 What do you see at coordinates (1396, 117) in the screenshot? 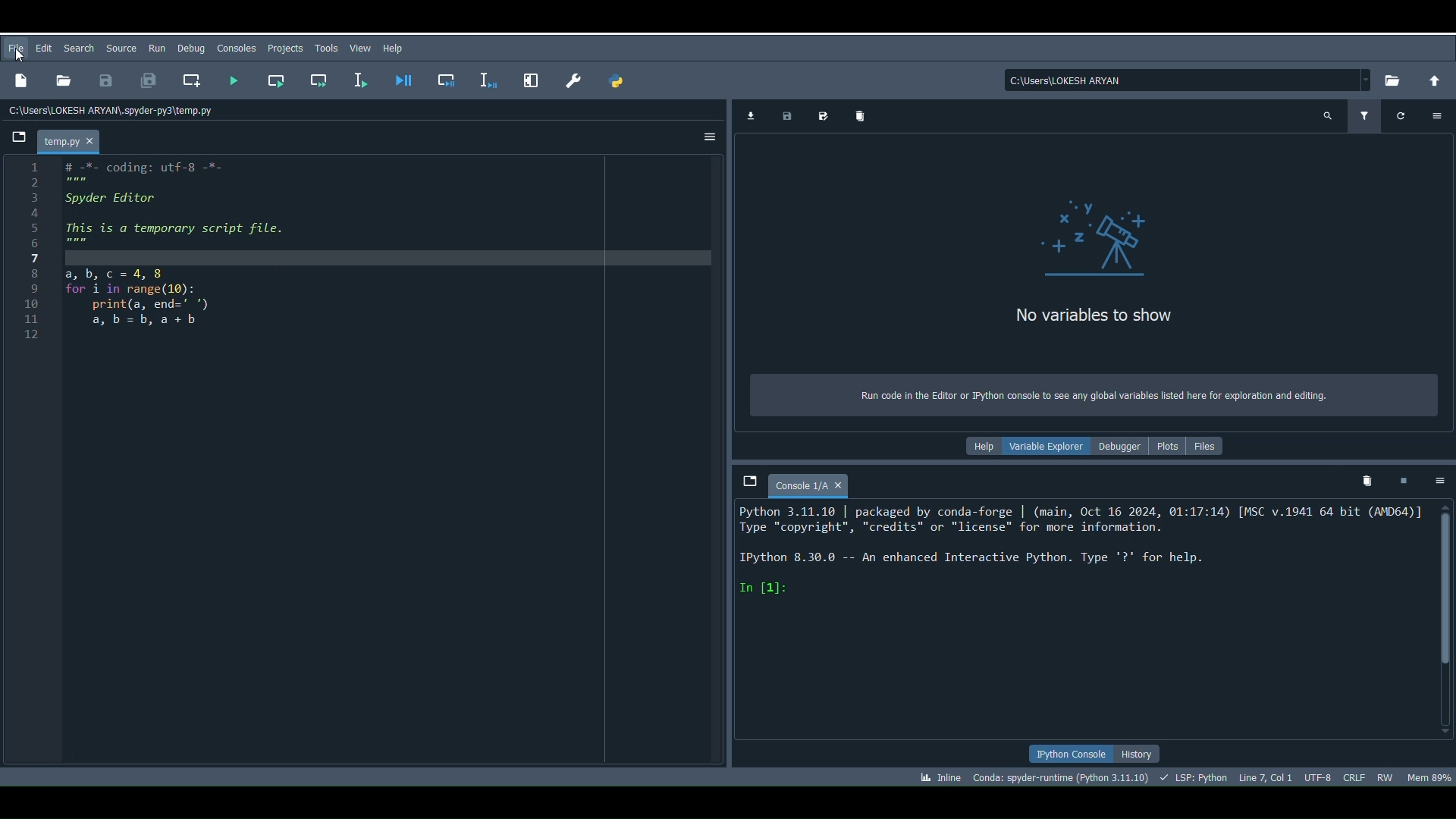
I see `Refresh variables (Ctrl + R)` at bounding box center [1396, 117].